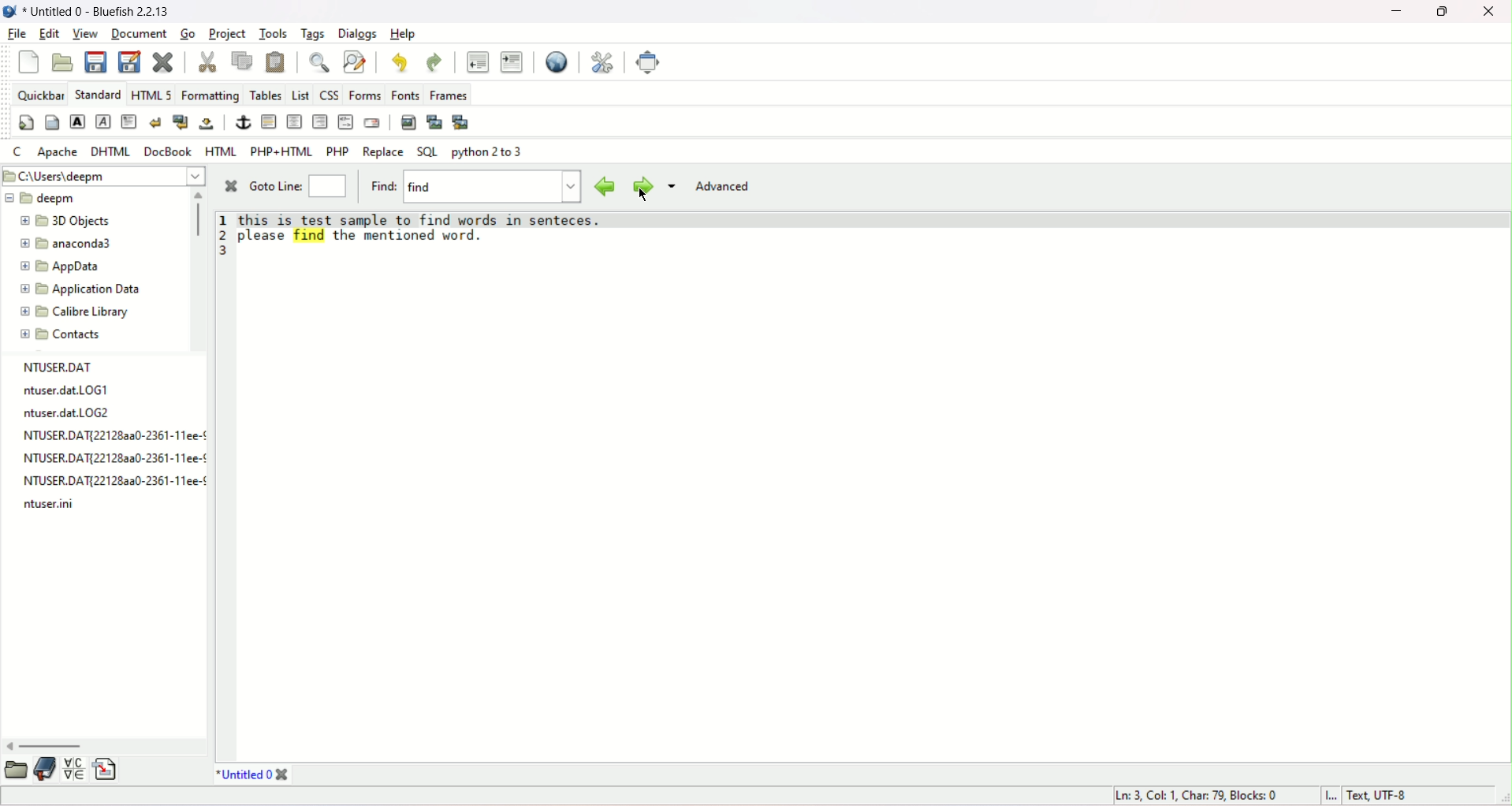 This screenshot has width=1512, height=806. What do you see at coordinates (1384, 797) in the screenshot?
I see `text, UTF-8` at bounding box center [1384, 797].